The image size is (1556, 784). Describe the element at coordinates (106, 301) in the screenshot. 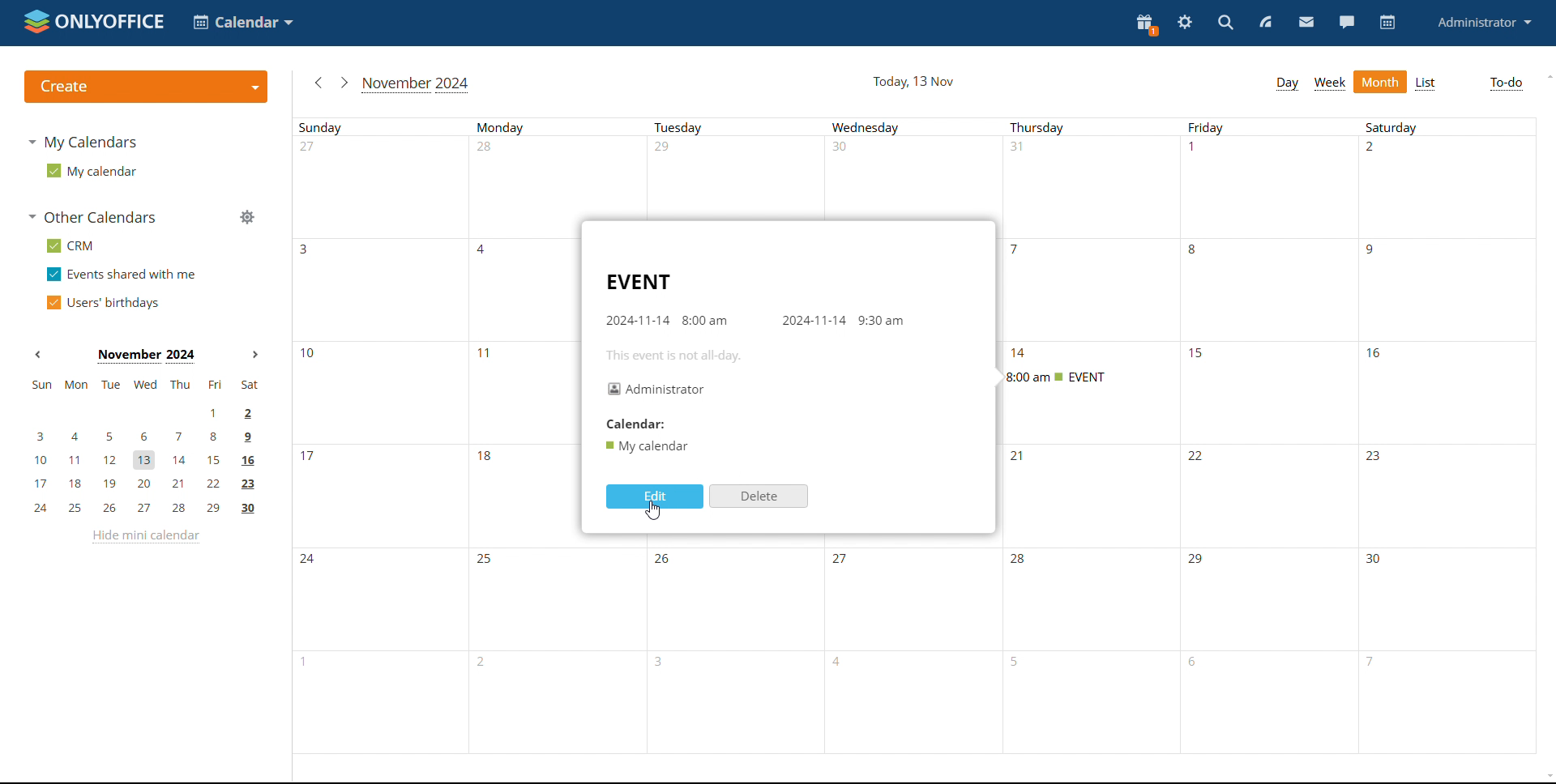

I see `users' burthdays` at that location.